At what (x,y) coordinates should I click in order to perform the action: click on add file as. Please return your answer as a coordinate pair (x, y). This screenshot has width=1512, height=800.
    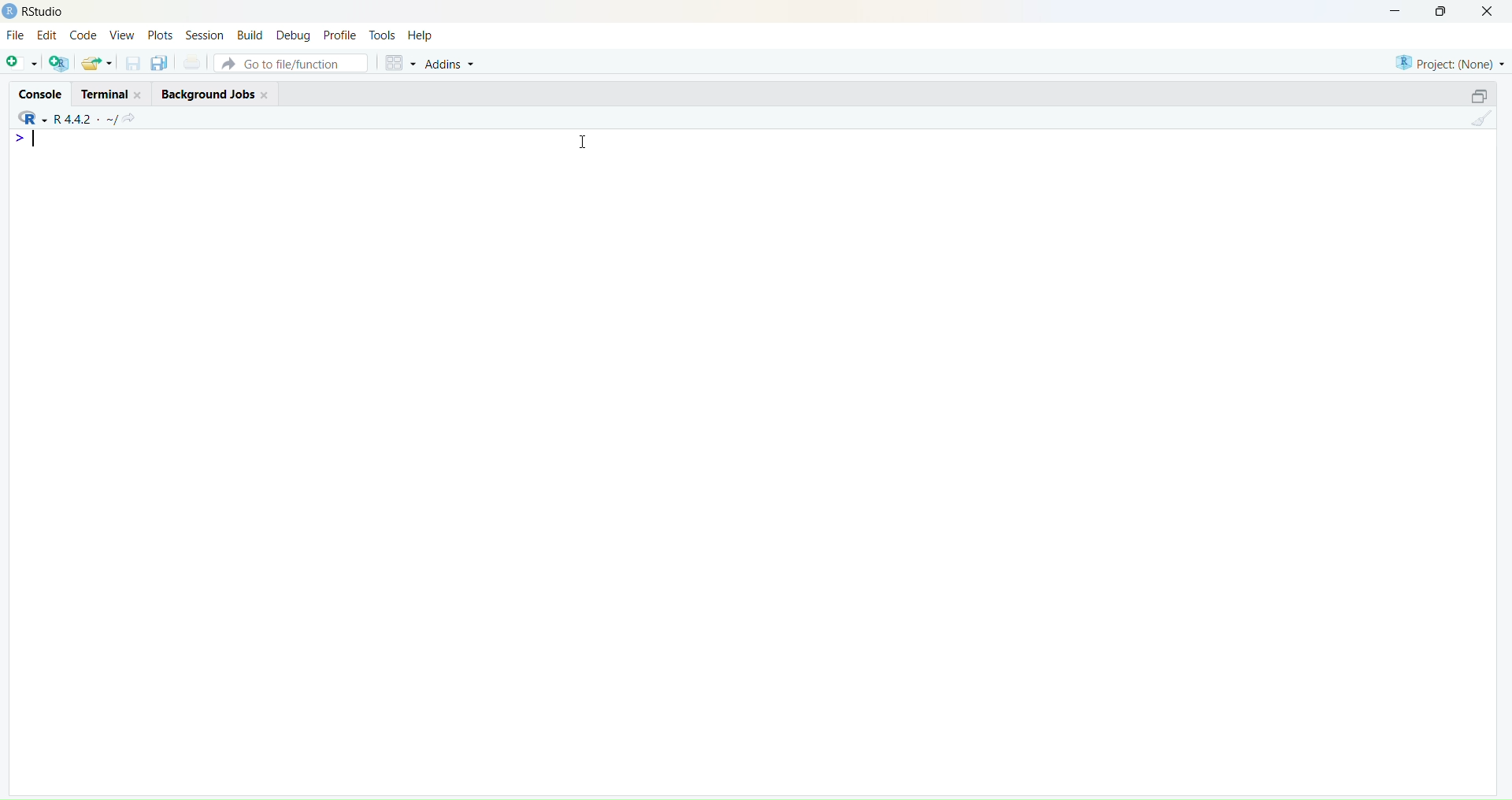
    Looking at the image, I should click on (23, 63).